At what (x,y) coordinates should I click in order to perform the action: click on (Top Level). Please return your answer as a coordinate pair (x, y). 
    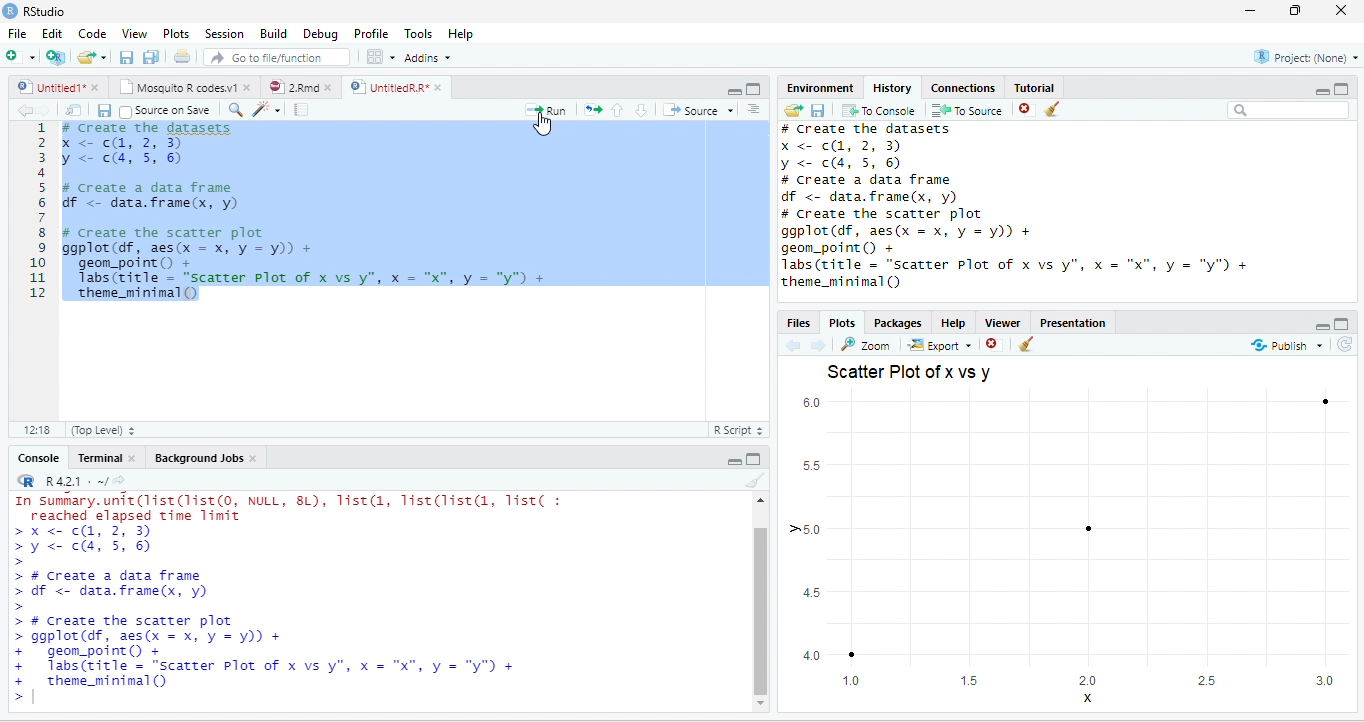
    Looking at the image, I should click on (101, 429).